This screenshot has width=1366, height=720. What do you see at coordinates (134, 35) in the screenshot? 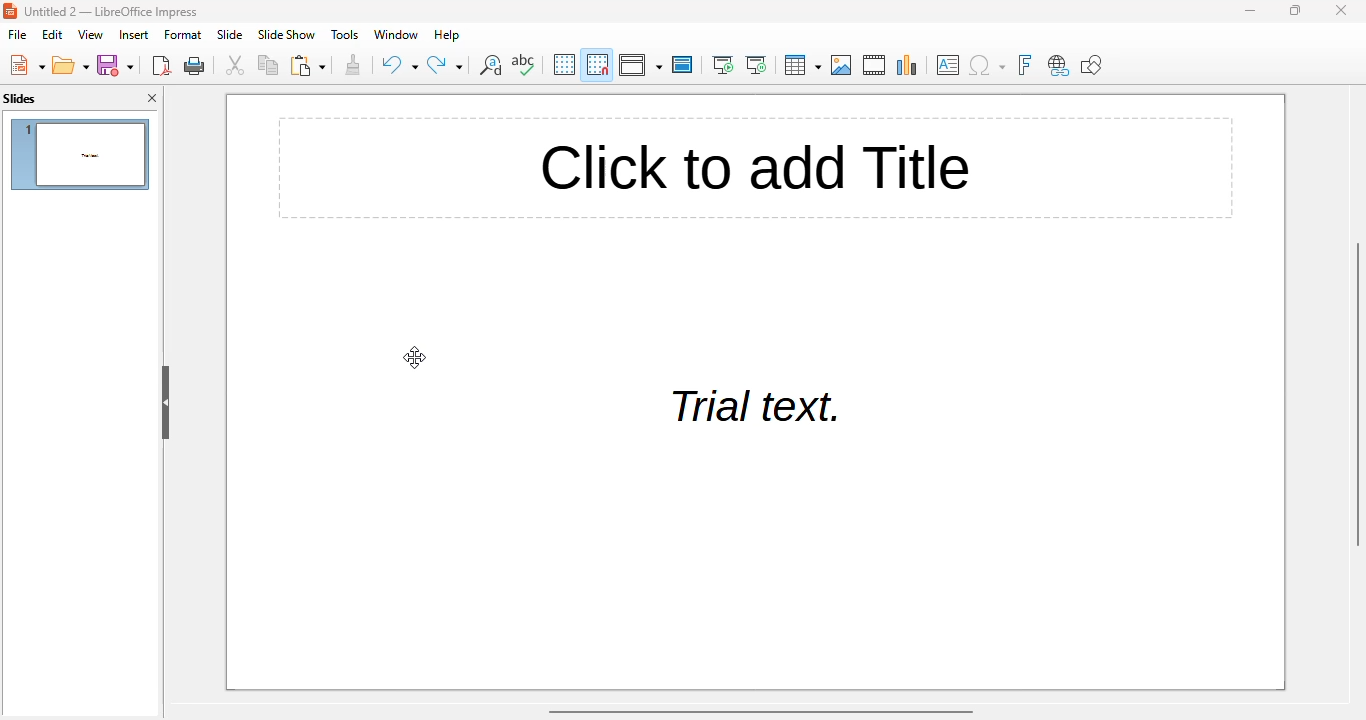
I see `insert` at bounding box center [134, 35].